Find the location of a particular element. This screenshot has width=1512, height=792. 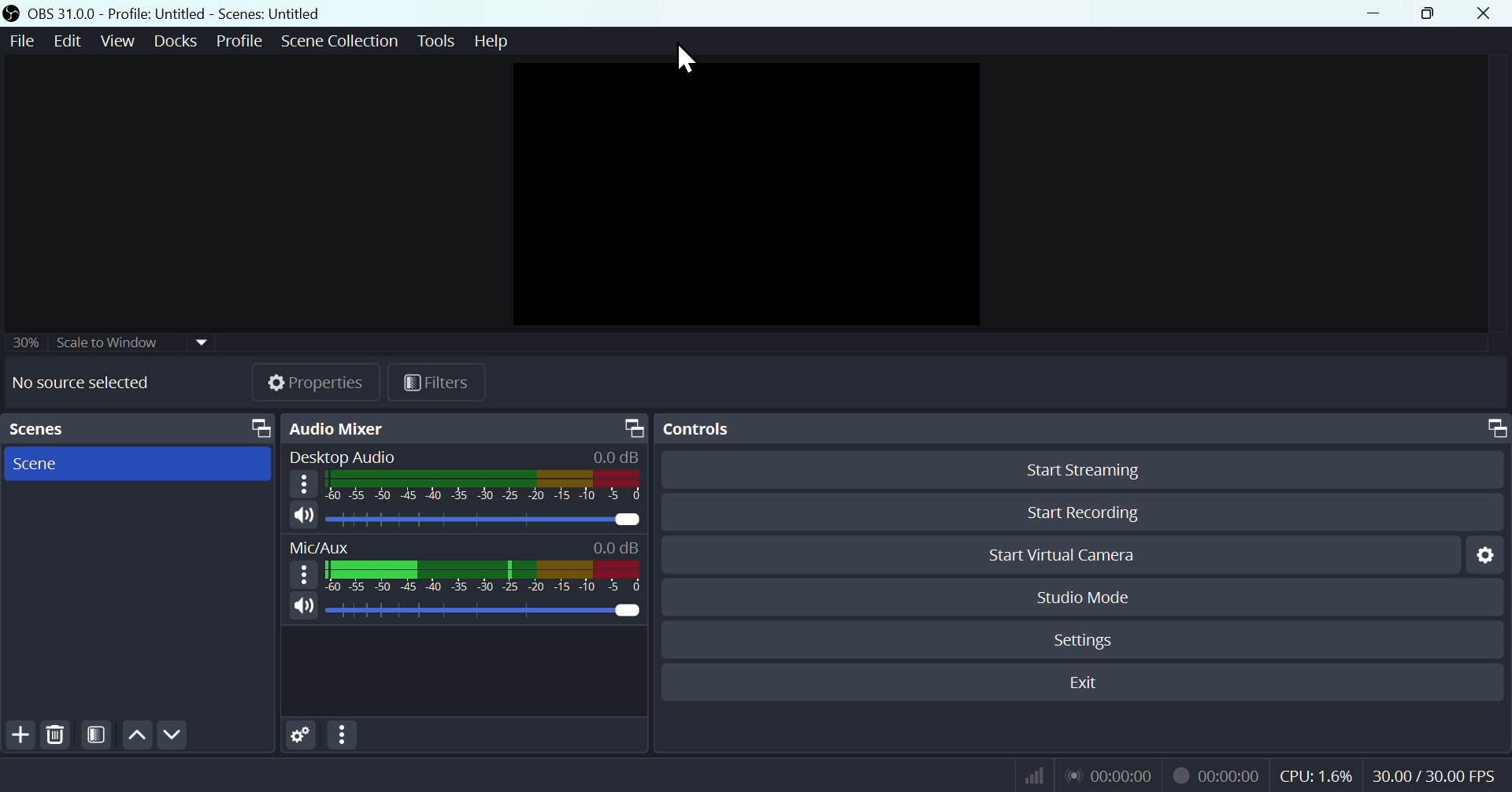

Mouse is located at coordinates (683, 61).